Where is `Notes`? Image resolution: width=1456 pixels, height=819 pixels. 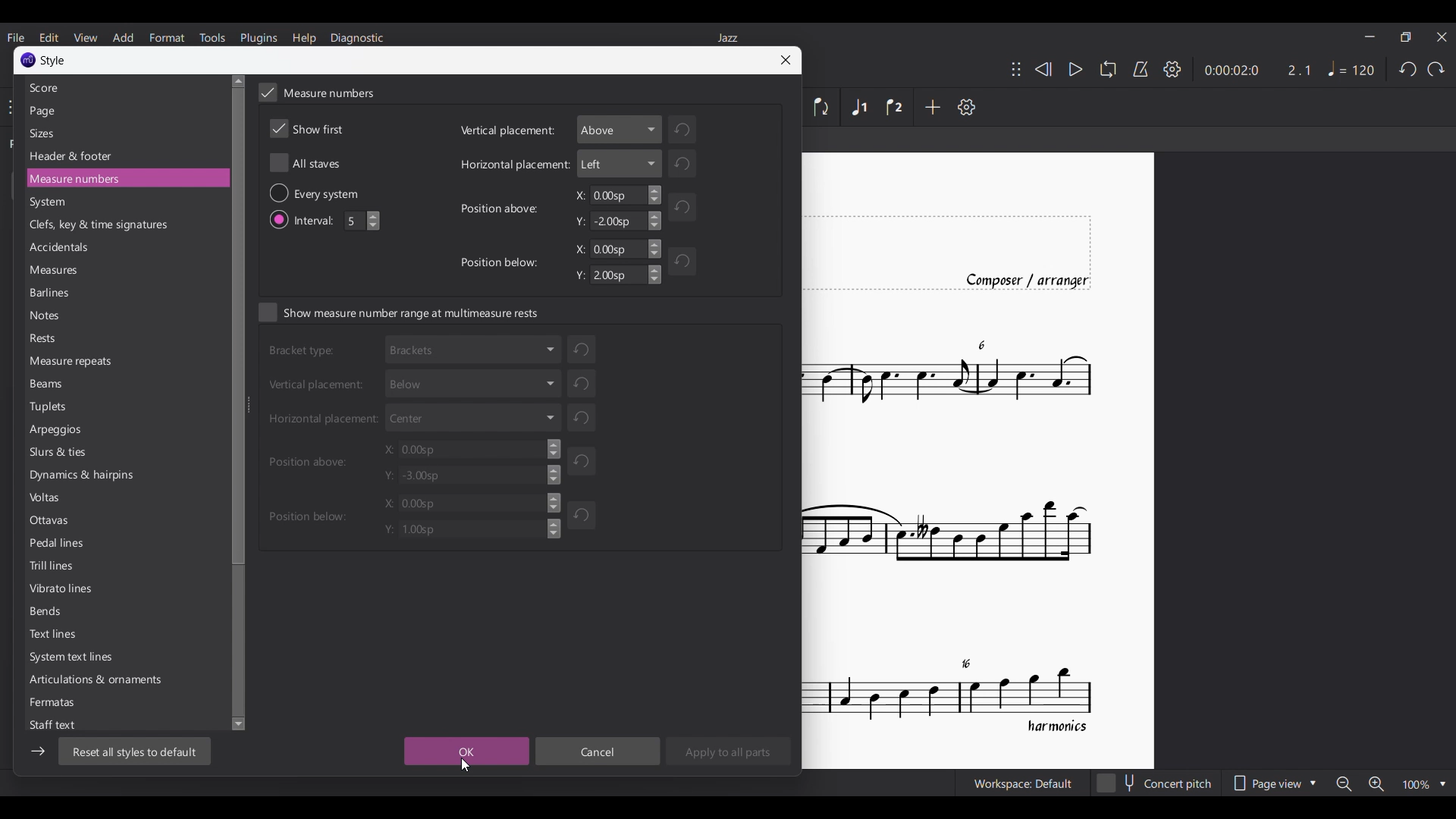
Notes is located at coordinates (49, 318).